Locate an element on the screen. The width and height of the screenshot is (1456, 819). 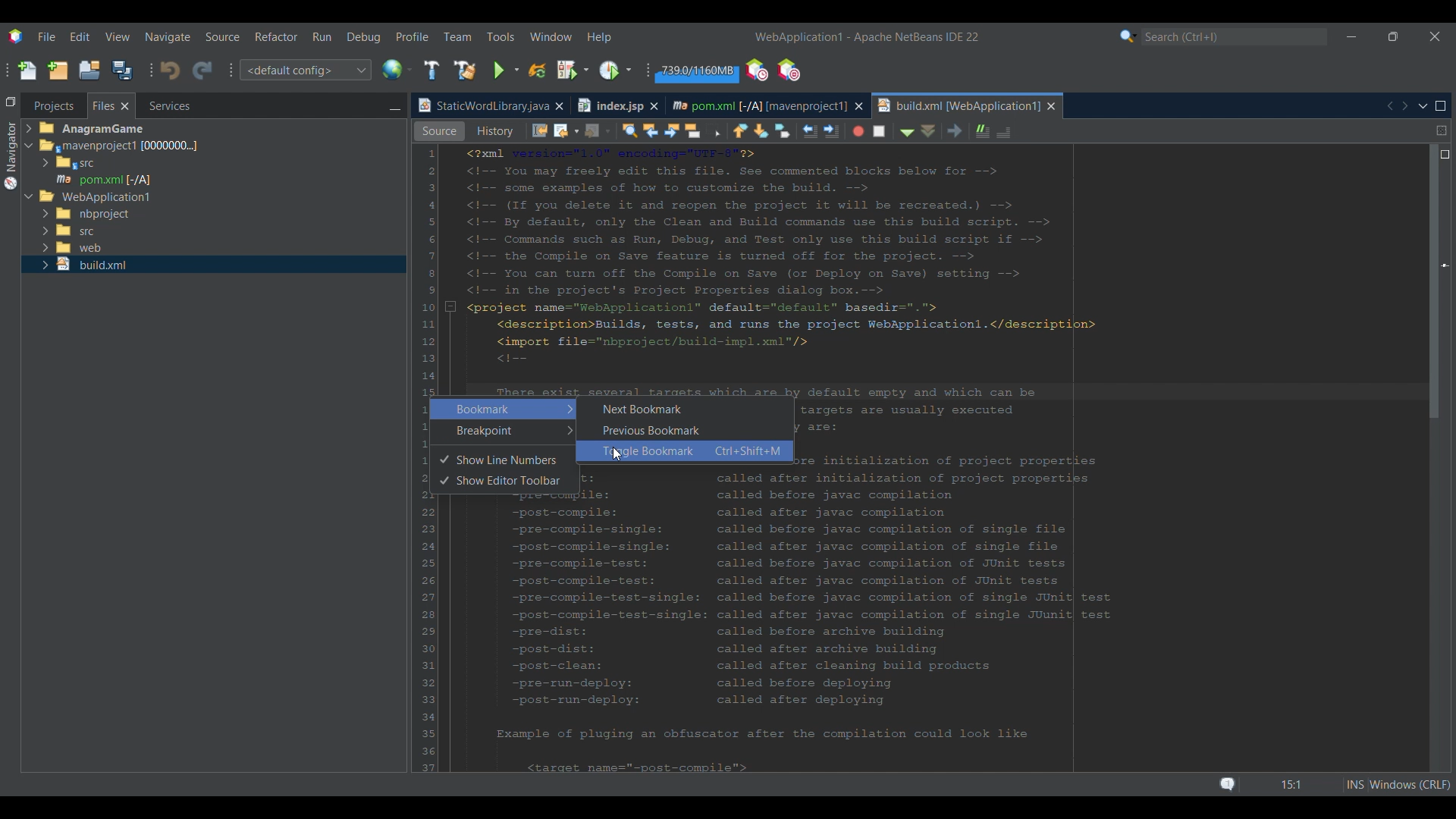
Current selection highlighted is located at coordinates (111, 105).